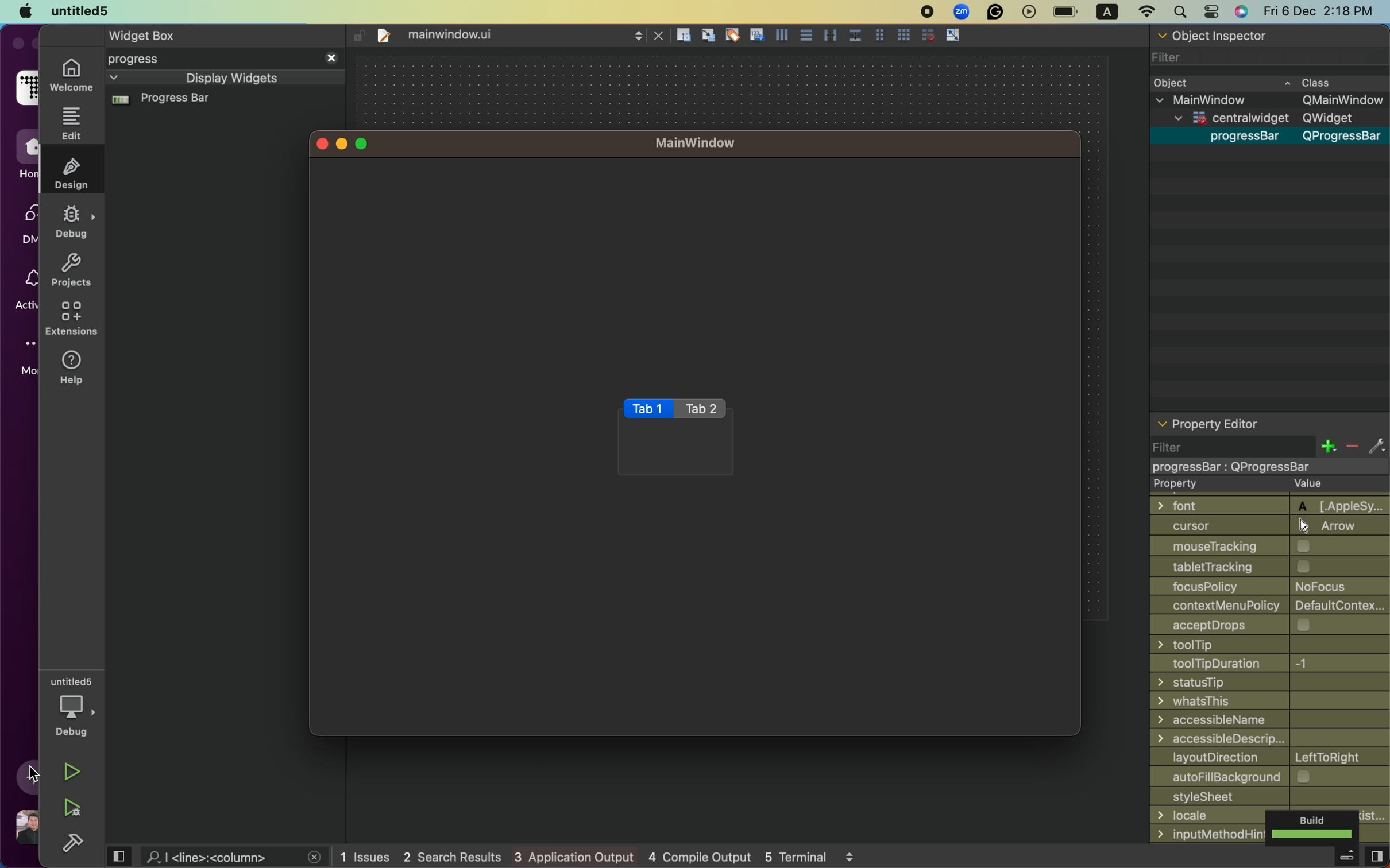 The width and height of the screenshot is (1390, 868). I want to click on centra widget, so click(1273, 118).